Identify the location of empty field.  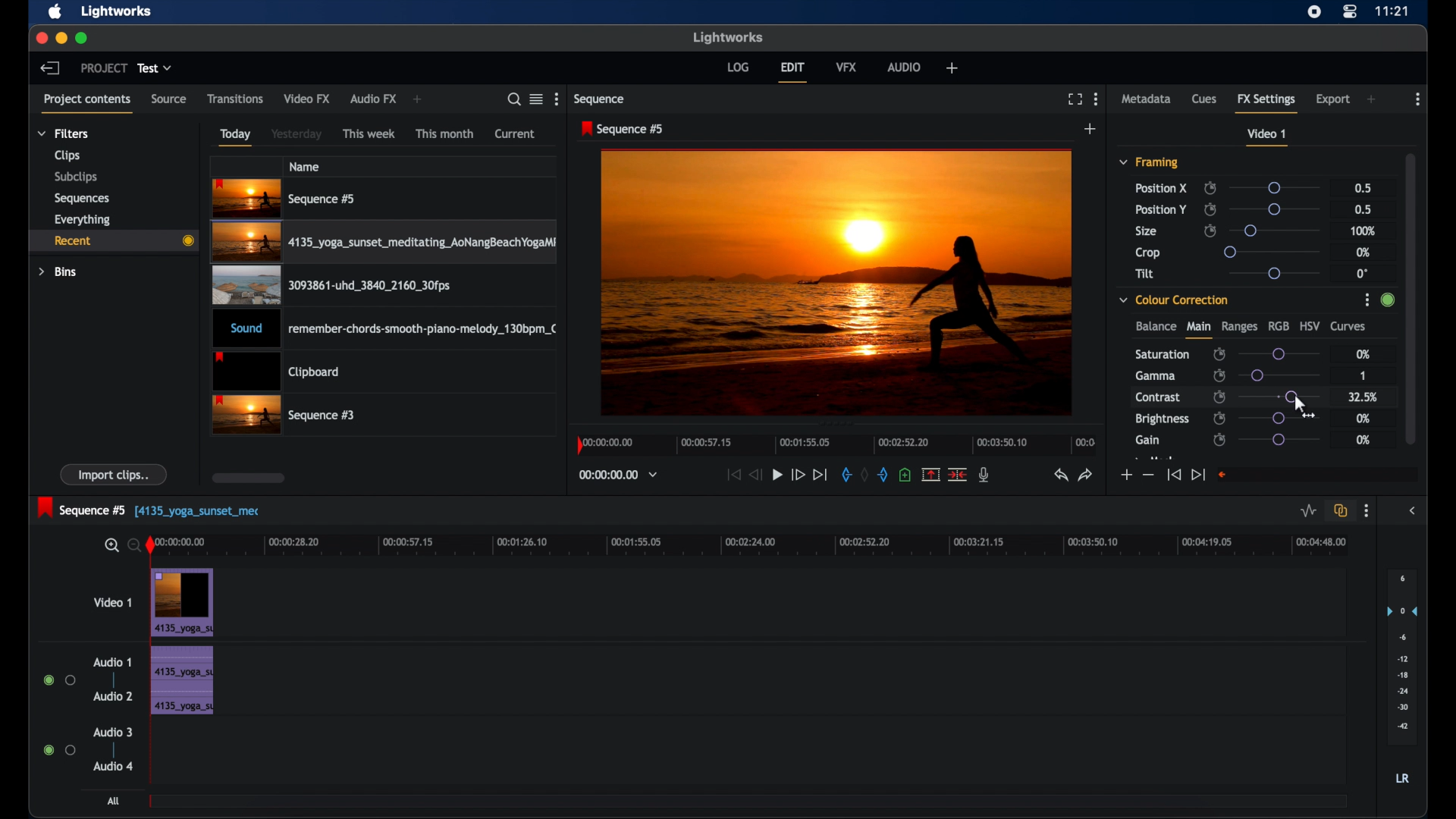
(1316, 475).